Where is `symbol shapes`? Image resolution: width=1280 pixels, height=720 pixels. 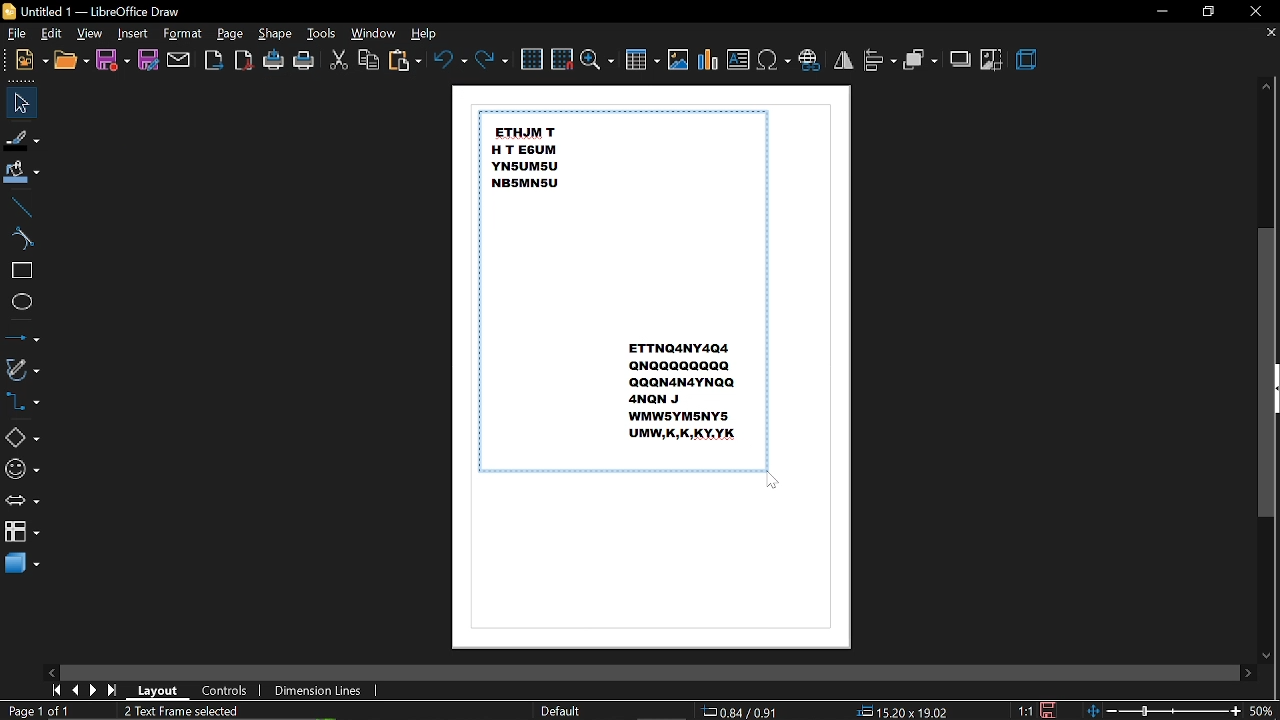
symbol shapes is located at coordinates (22, 469).